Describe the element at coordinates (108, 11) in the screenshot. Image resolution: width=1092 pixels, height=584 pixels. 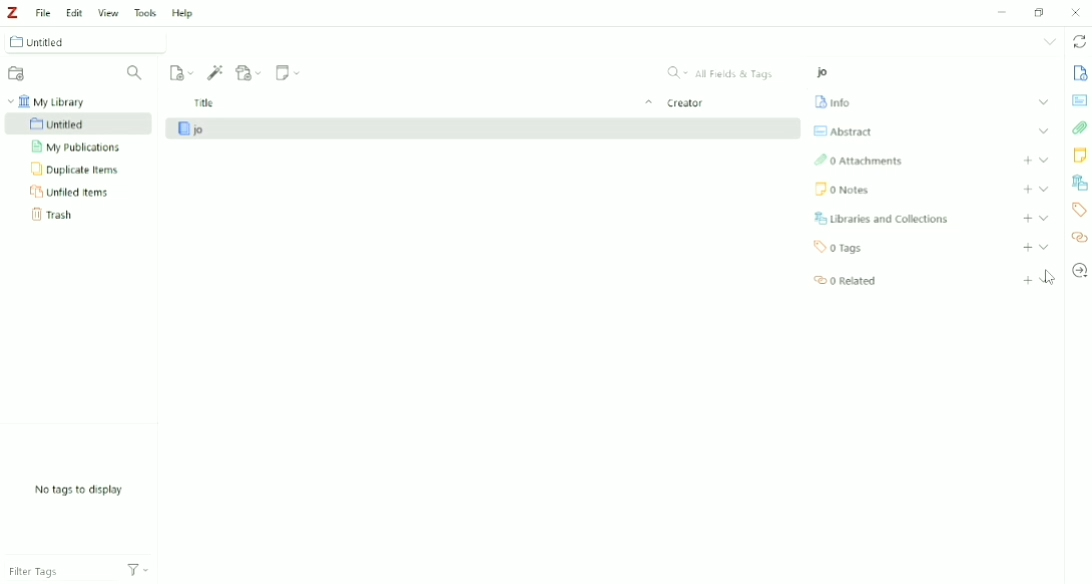
I see `View` at that location.